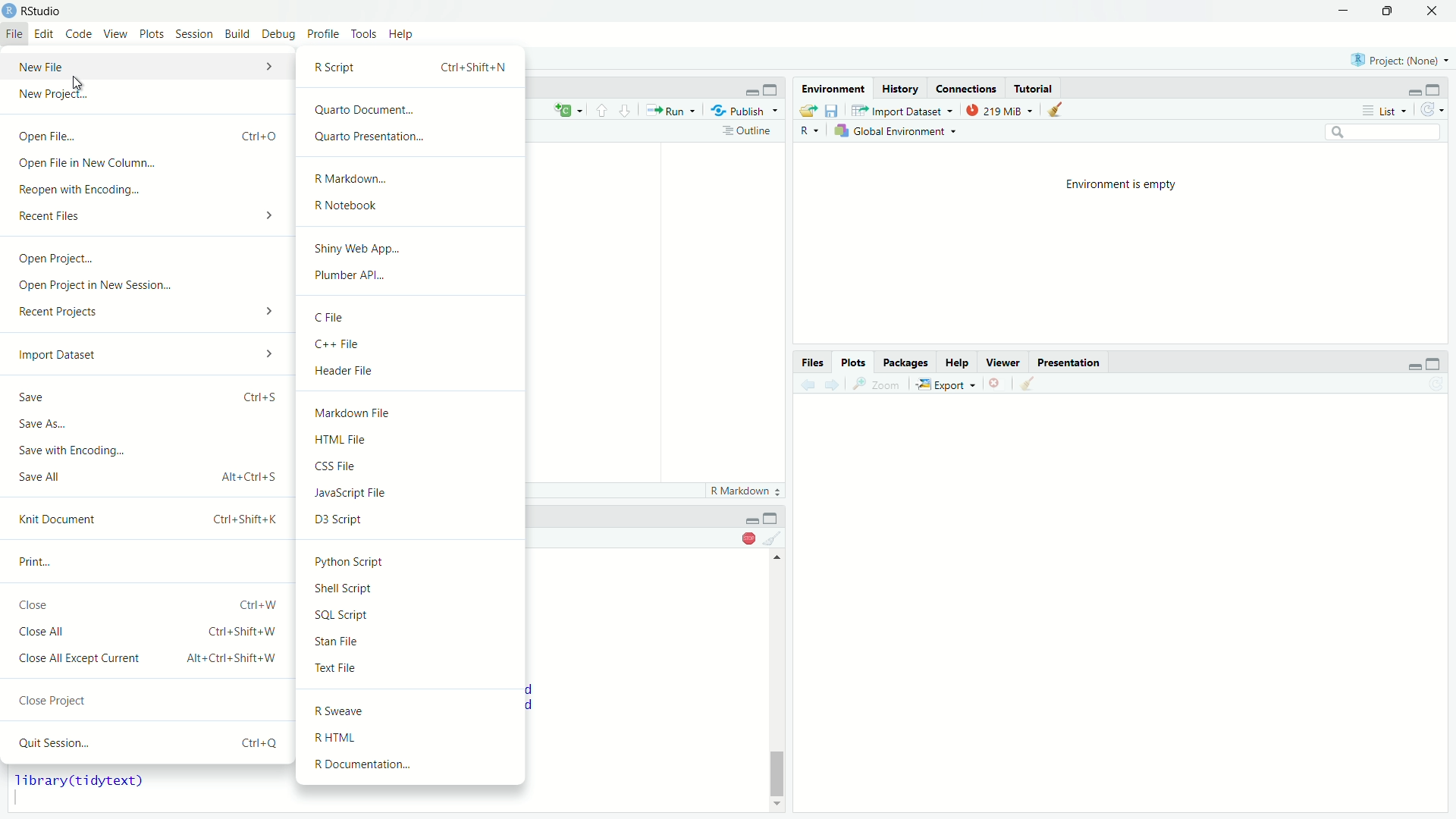 The width and height of the screenshot is (1456, 819). What do you see at coordinates (671, 111) in the screenshot?
I see `Run the current line` at bounding box center [671, 111].